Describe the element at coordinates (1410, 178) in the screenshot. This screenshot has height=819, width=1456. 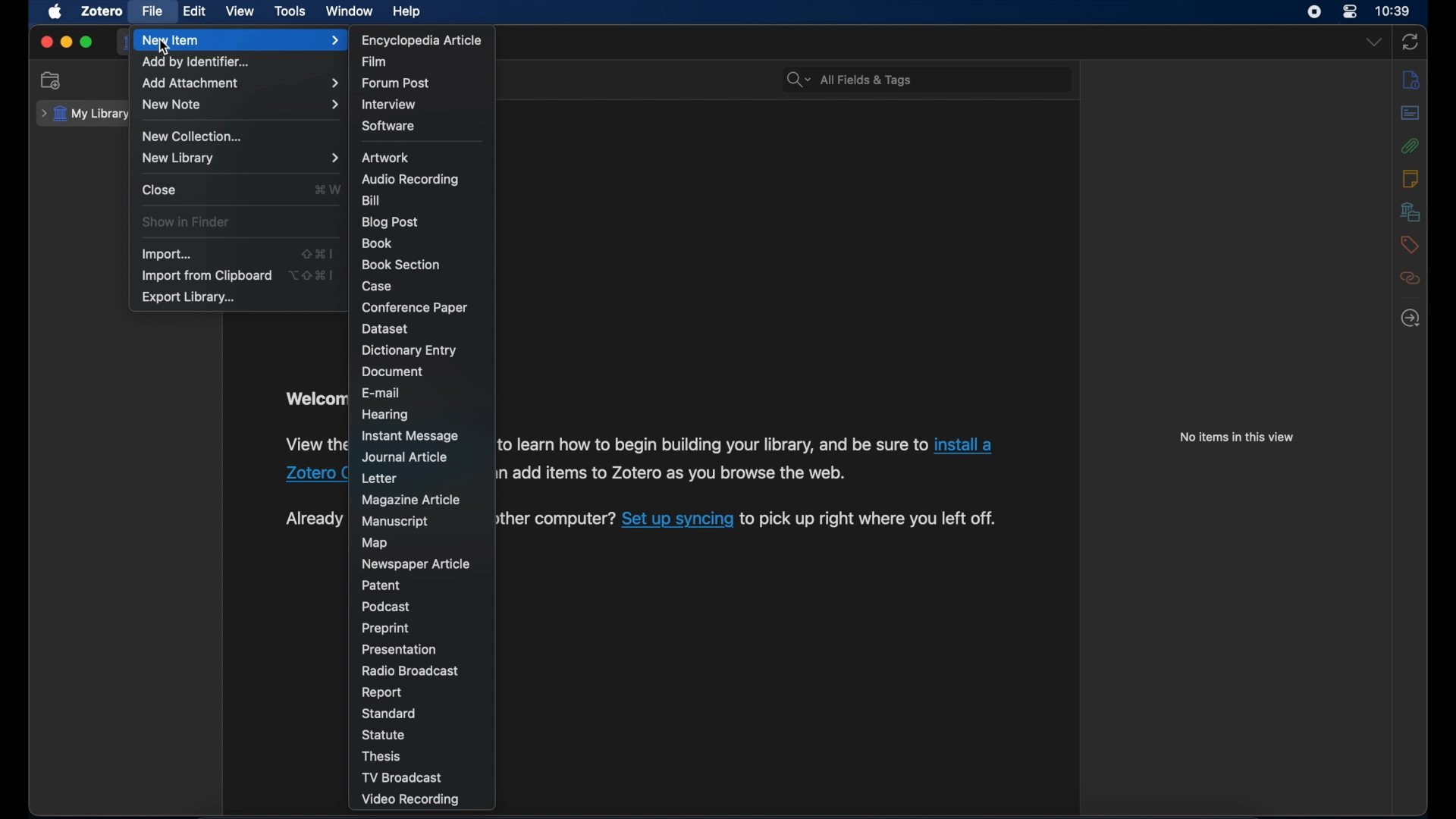
I see `notes` at that location.